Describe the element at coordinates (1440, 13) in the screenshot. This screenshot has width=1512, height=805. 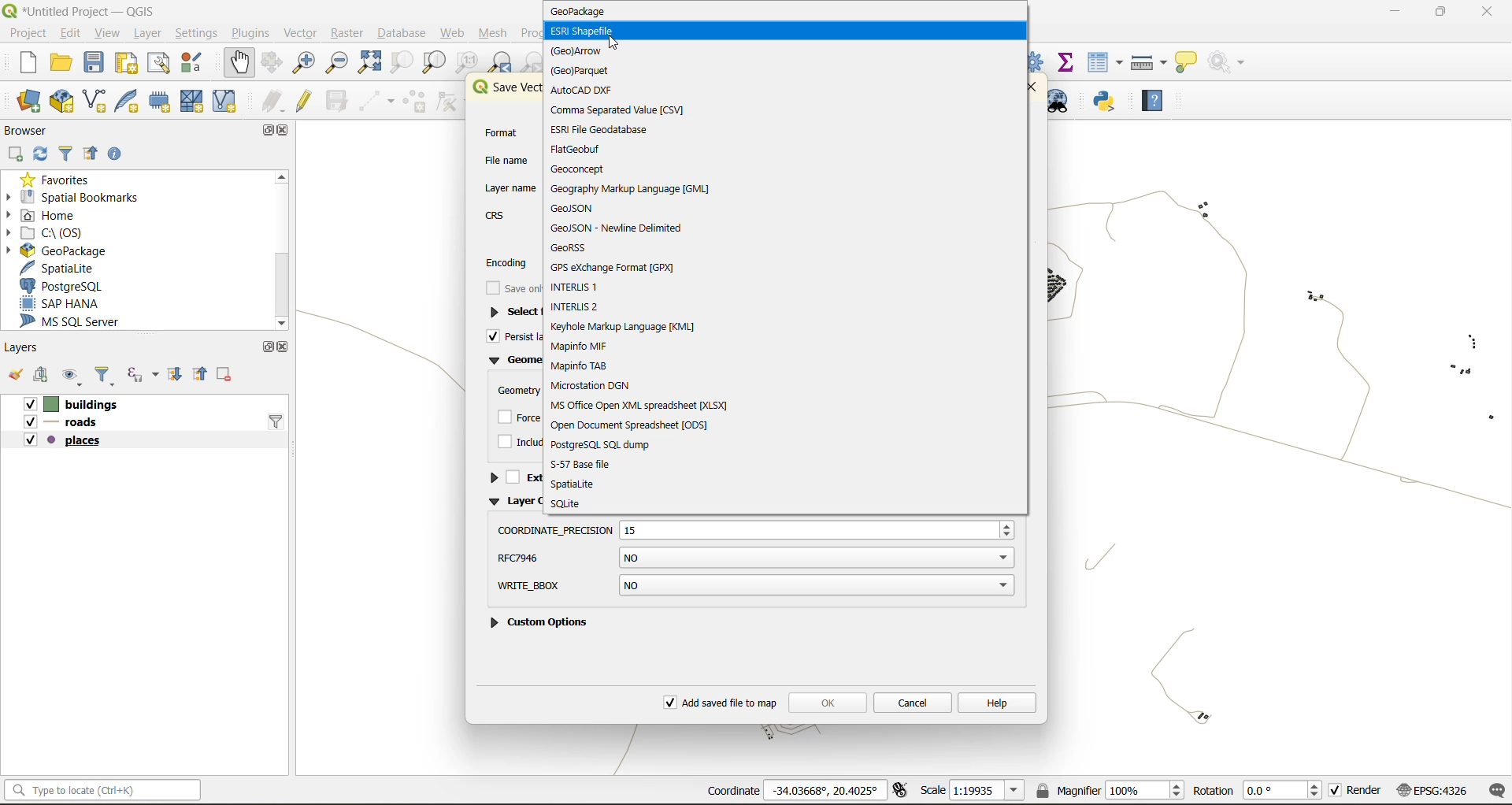
I see `maximize` at that location.